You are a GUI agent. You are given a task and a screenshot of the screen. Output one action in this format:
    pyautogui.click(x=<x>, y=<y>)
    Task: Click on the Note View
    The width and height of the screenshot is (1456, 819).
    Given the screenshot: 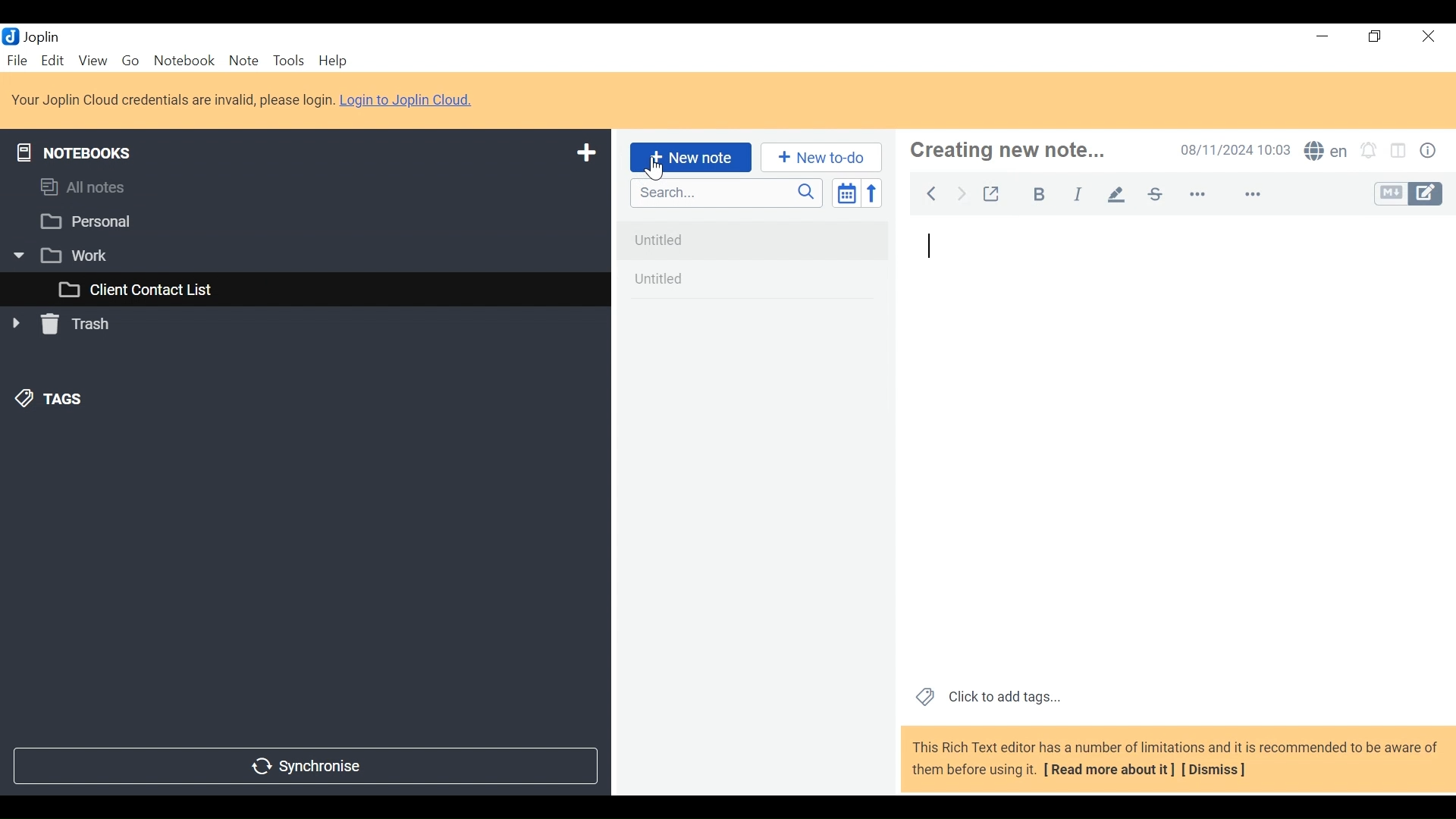 What is the action you would take?
    pyautogui.click(x=1175, y=448)
    